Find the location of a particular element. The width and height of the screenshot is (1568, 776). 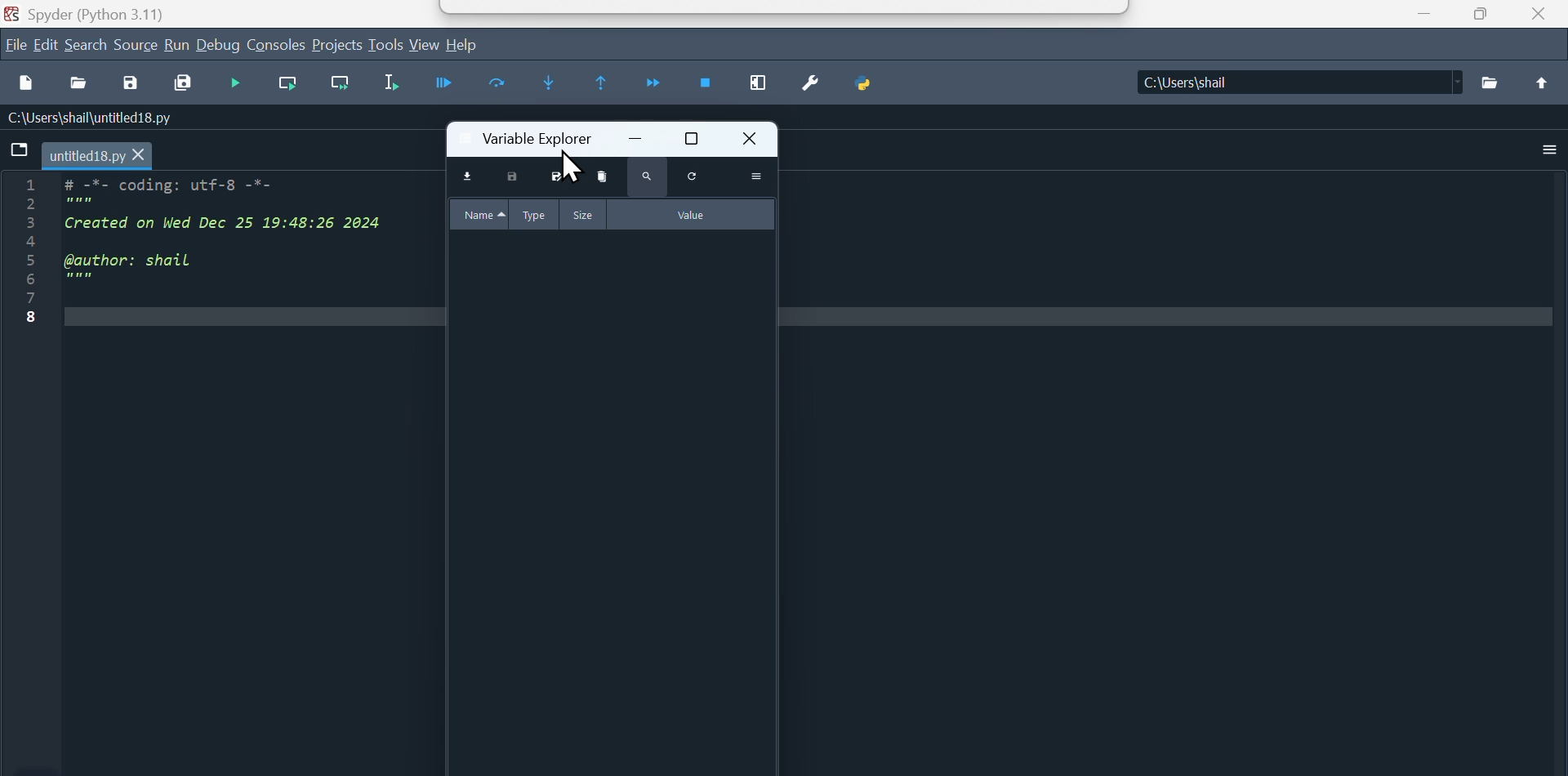

Close is located at coordinates (1538, 15).